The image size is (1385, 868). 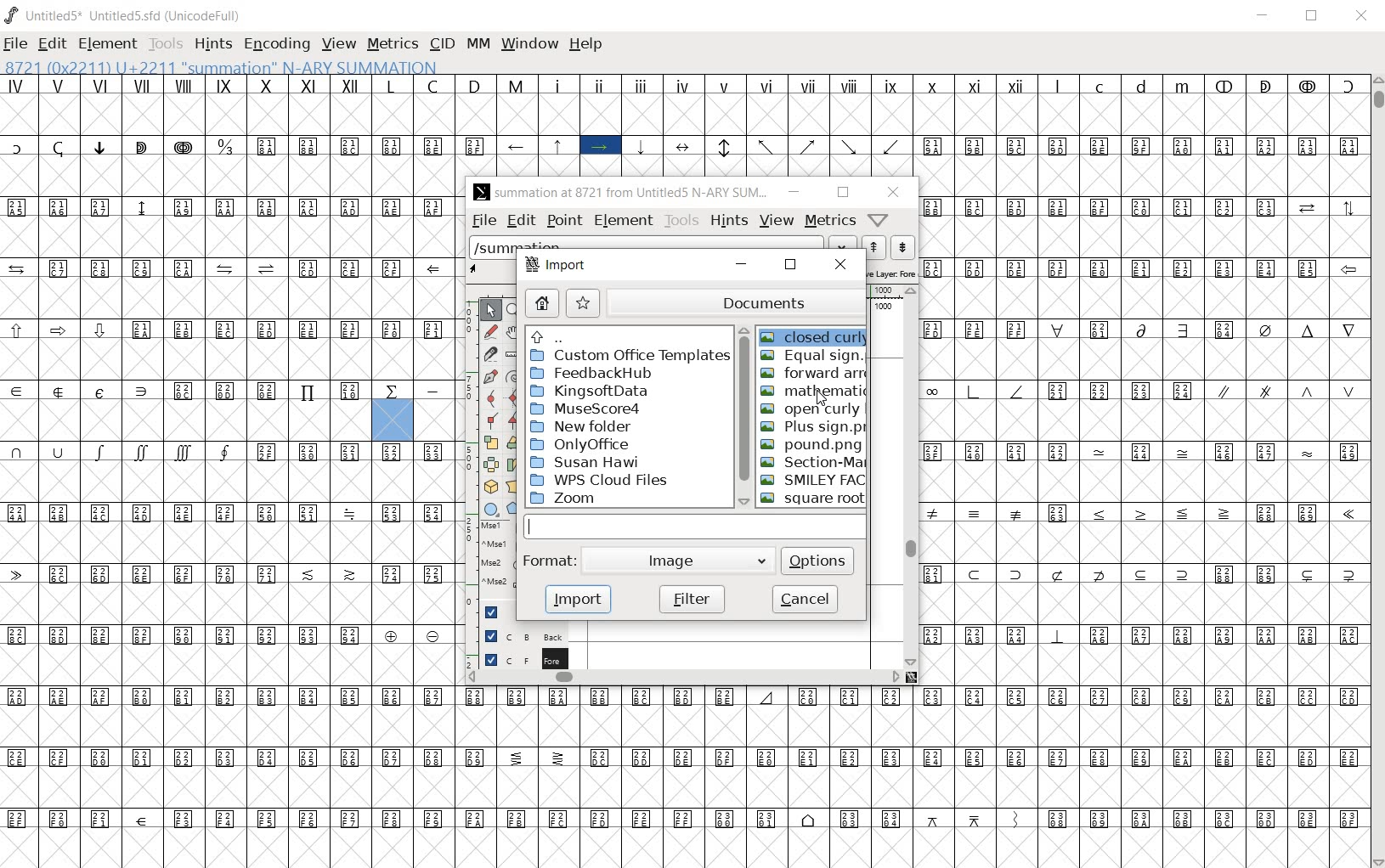 What do you see at coordinates (809, 409) in the screenshot?
I see `OPEN CURLY` at bounding box center [809, 409].